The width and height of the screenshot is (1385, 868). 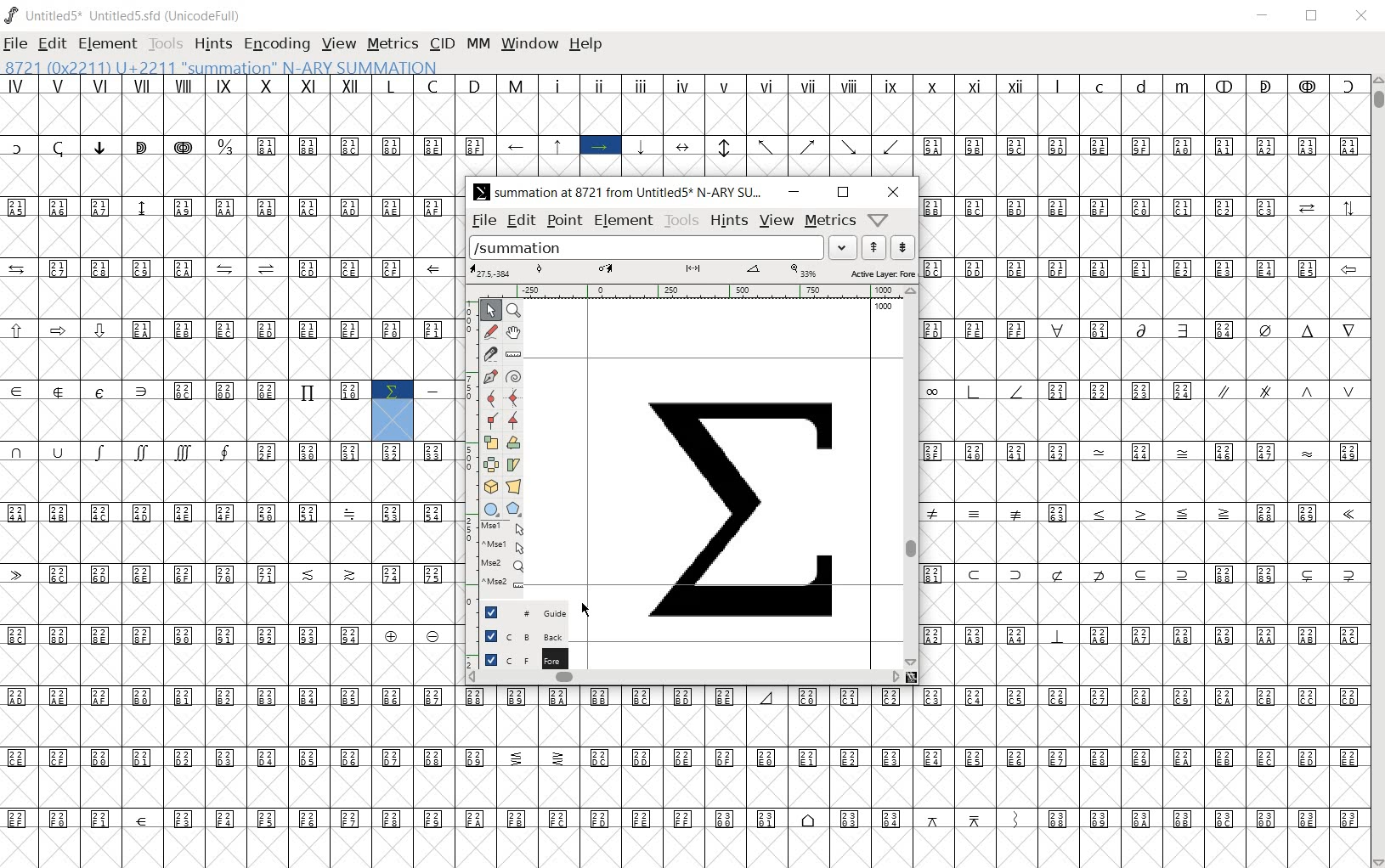 What do you see at coordinates (708, 290) in the screenshot?
I see `ruler` at bounding box center [708, 290].